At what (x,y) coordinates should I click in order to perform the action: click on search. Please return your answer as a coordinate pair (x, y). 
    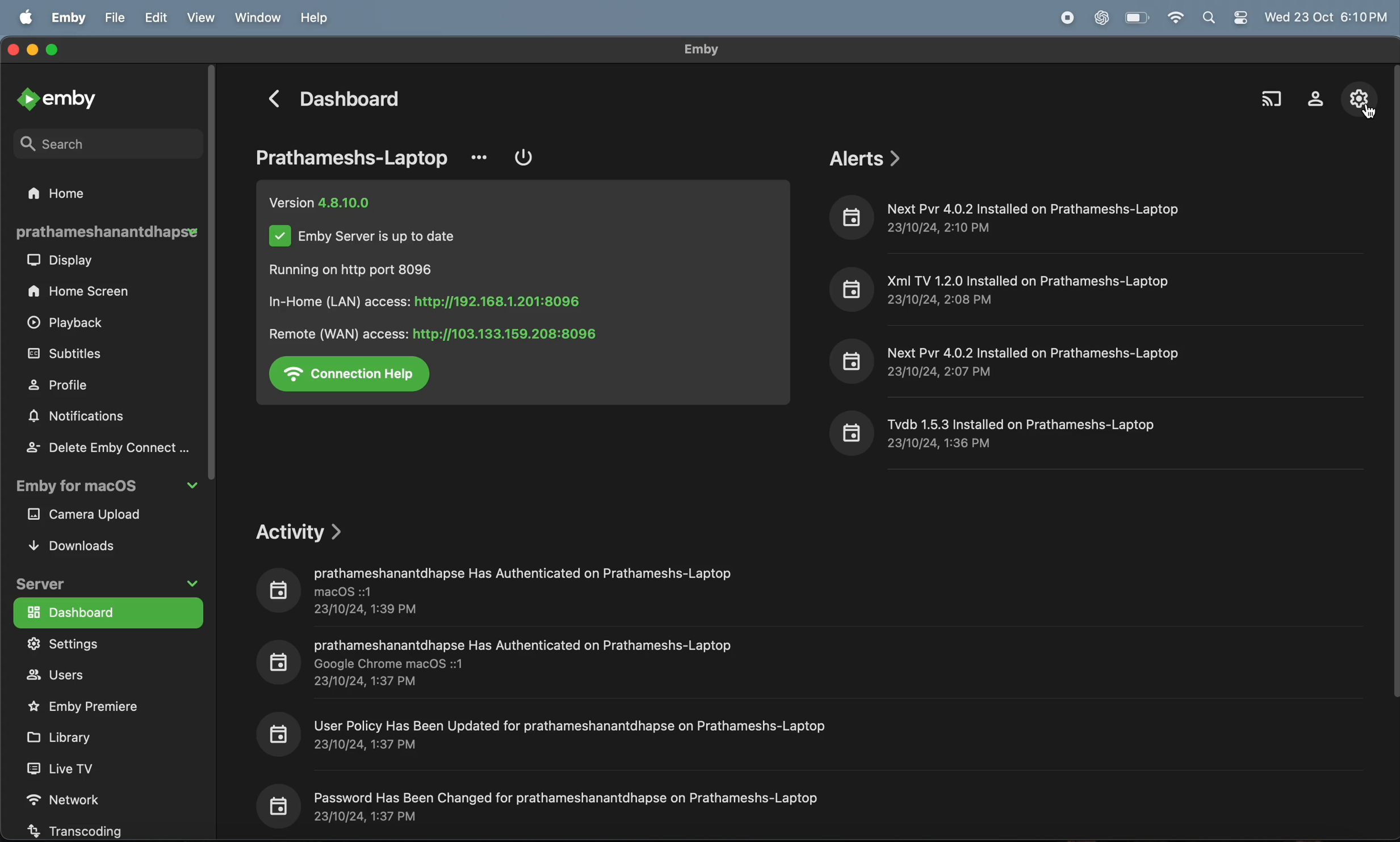
    Looking at the image, I should click on (100, 142).